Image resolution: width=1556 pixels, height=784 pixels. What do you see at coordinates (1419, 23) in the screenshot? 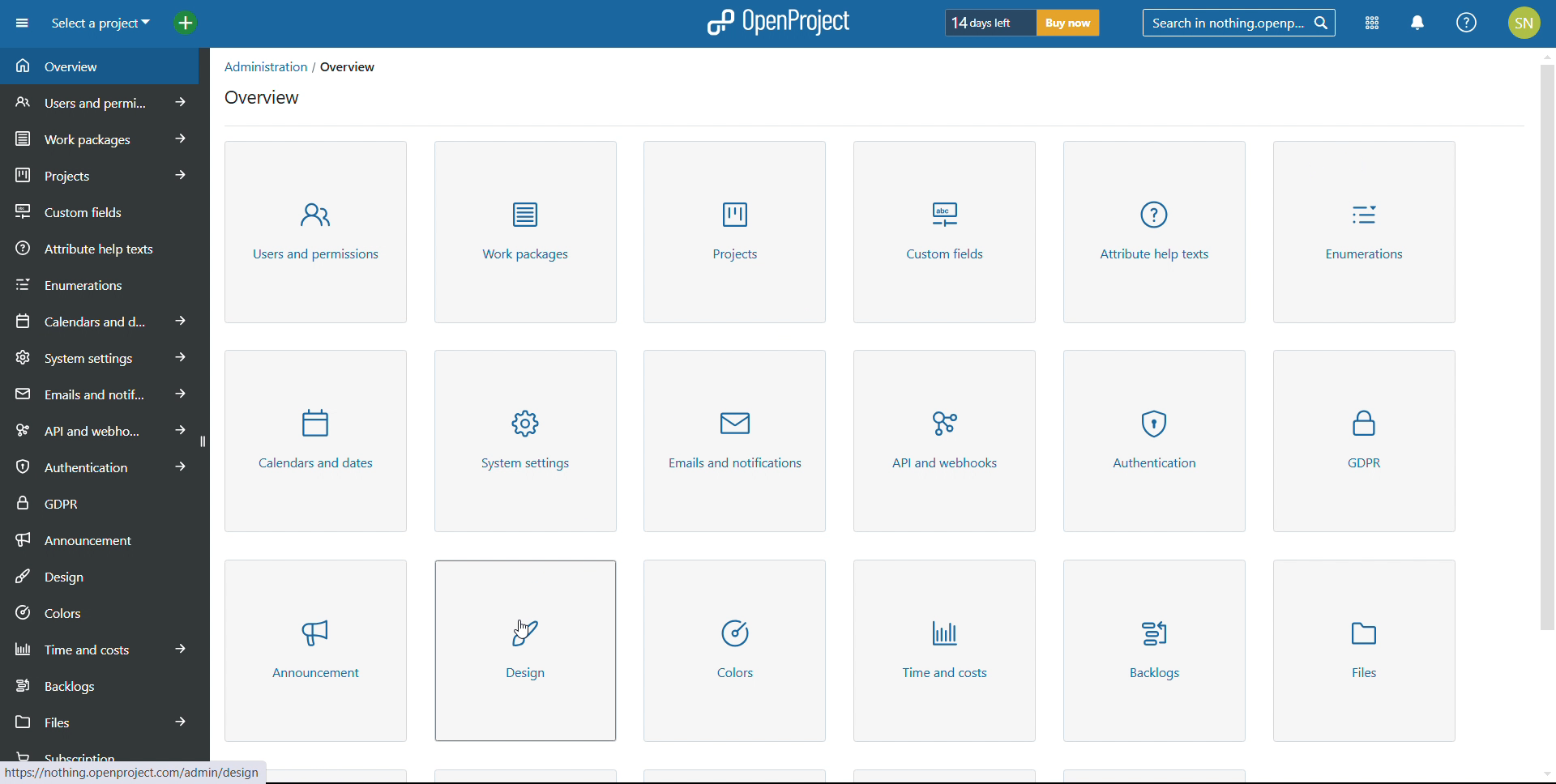
I see `notifications` at bounding box center [1419, 23].